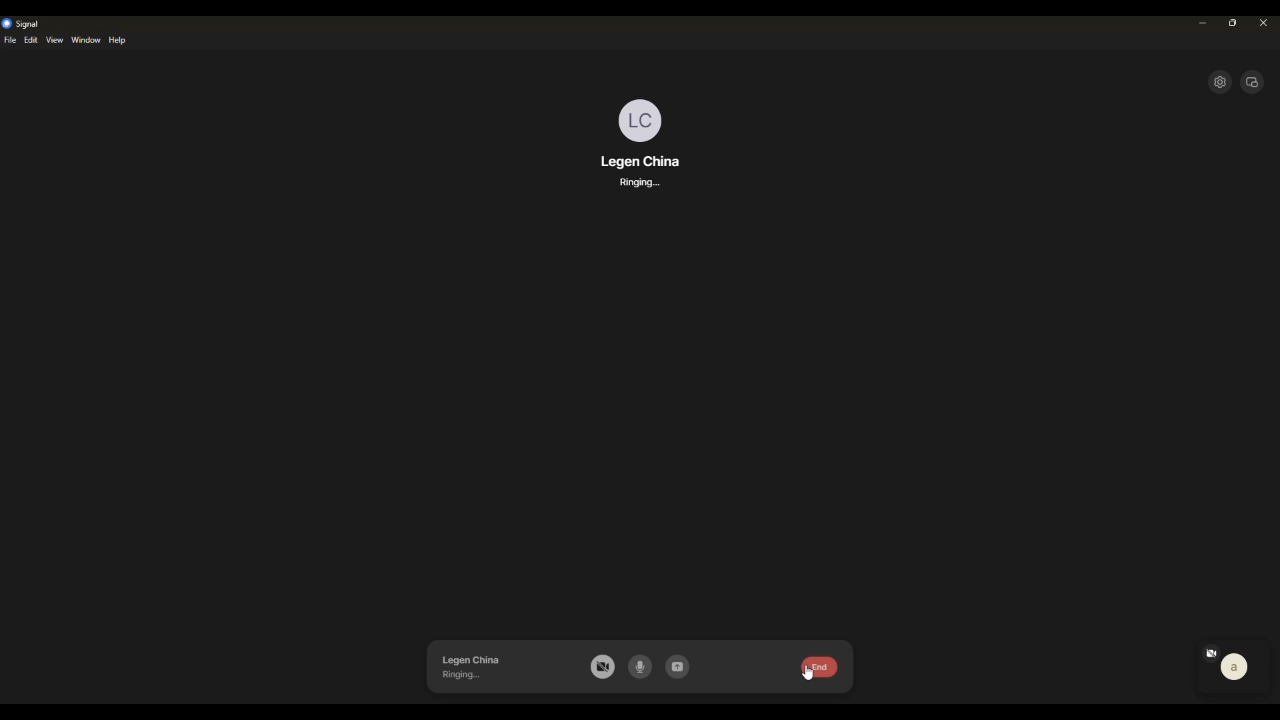 The width and height of the screenshot is (1280, 720). I want to click on end, so click(817, 667).